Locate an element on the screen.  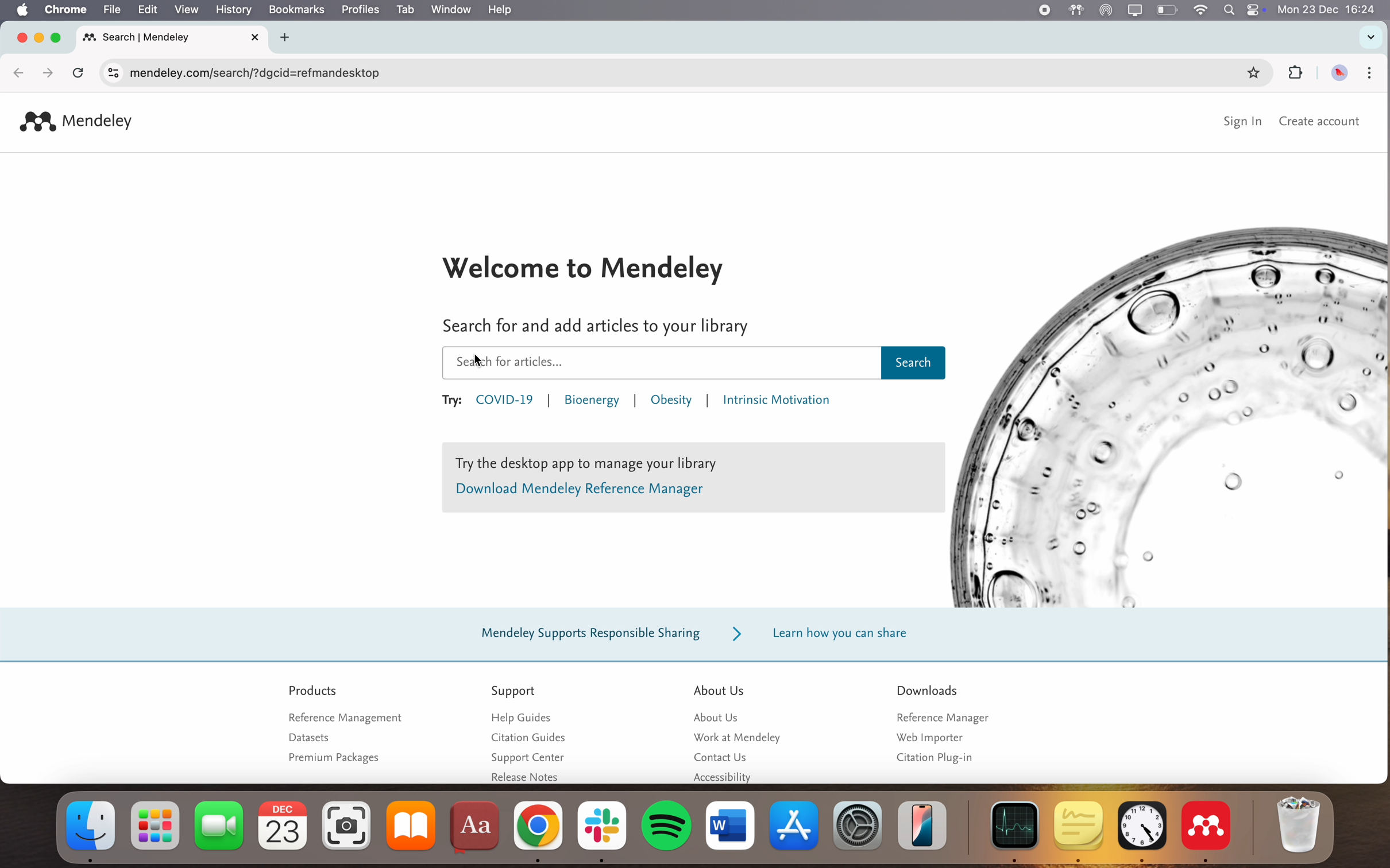
facetime is located at coordinates (220, 827).